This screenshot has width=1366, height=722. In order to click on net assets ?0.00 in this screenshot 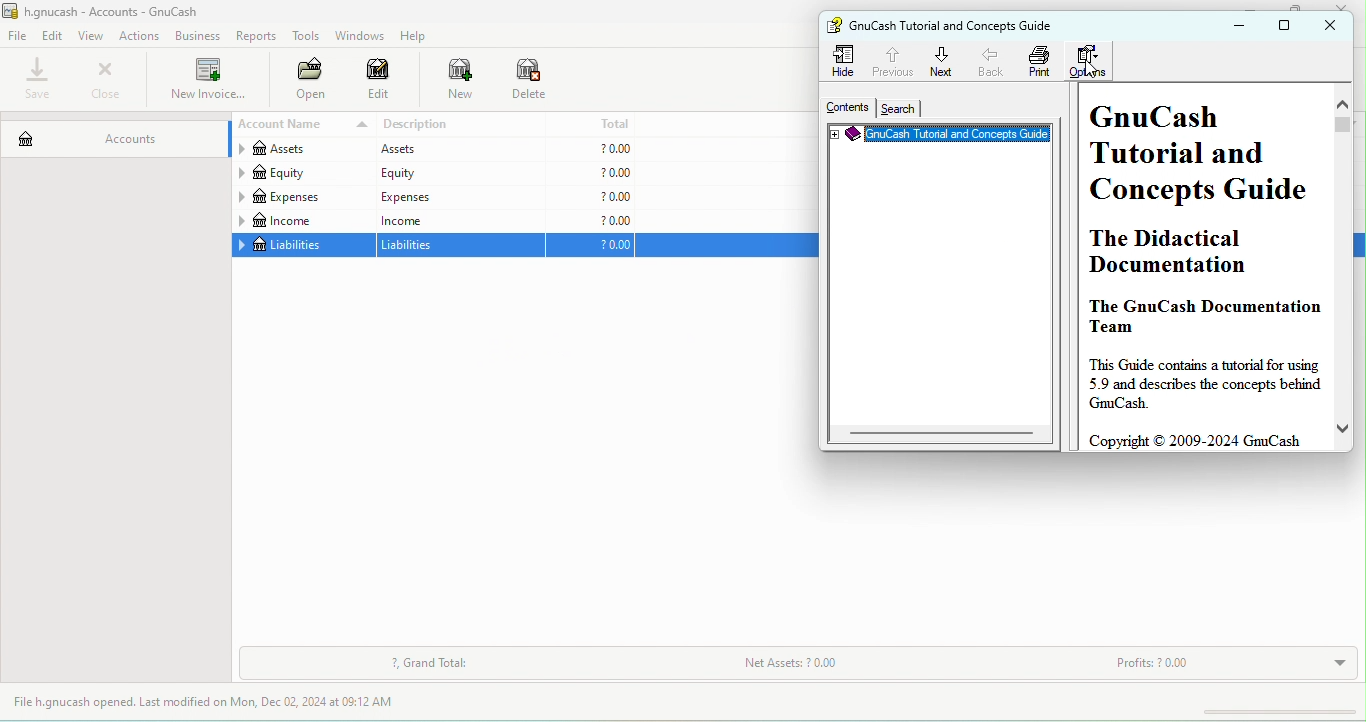, I will do `click(853, 666)`.